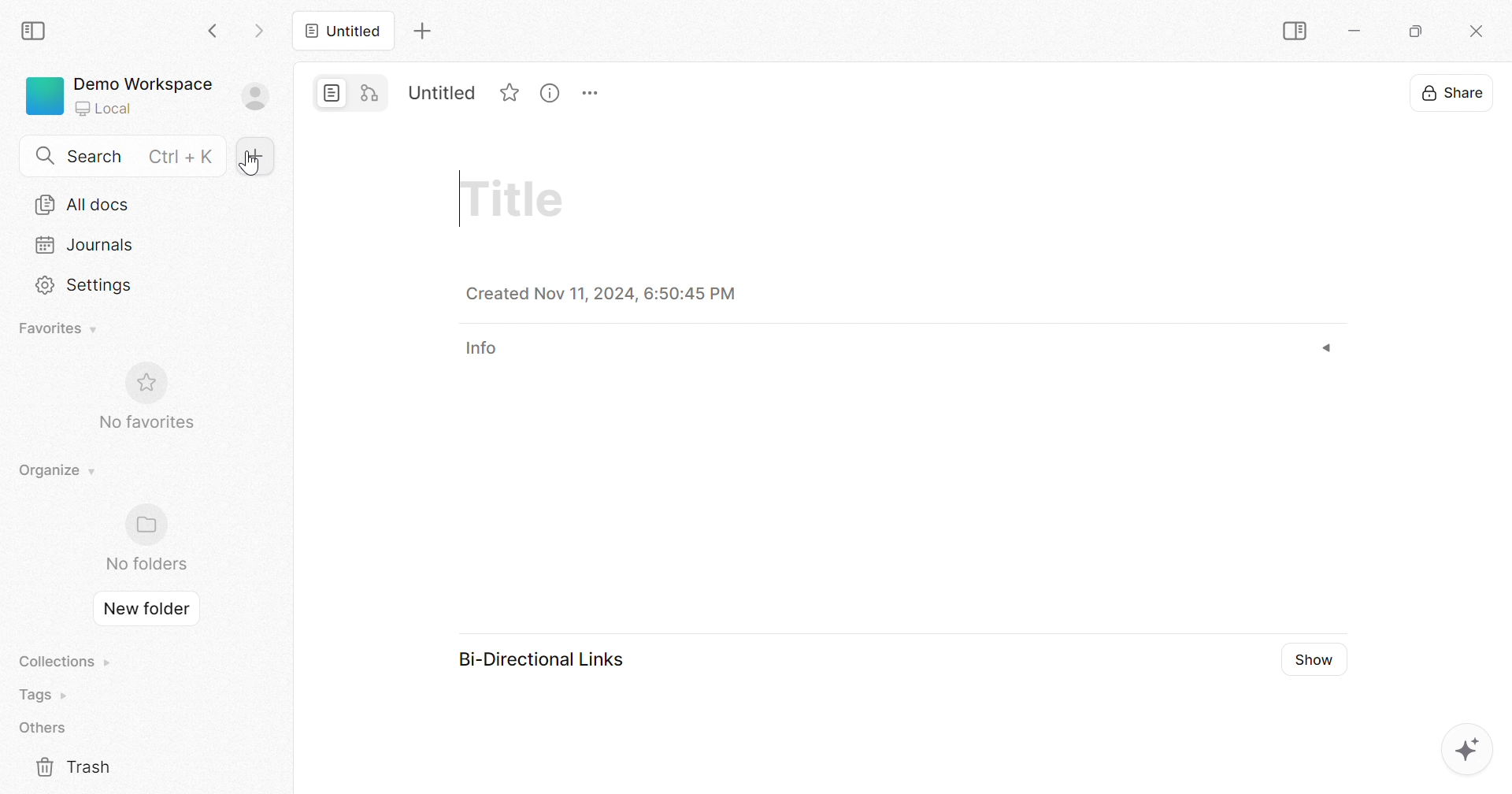 Image resolution: width=1512 pixels, height=794 pixels. What do you see at coordinates (45, 95) in the screenshot?
I see `Green color` at bounding box center [45, 95].